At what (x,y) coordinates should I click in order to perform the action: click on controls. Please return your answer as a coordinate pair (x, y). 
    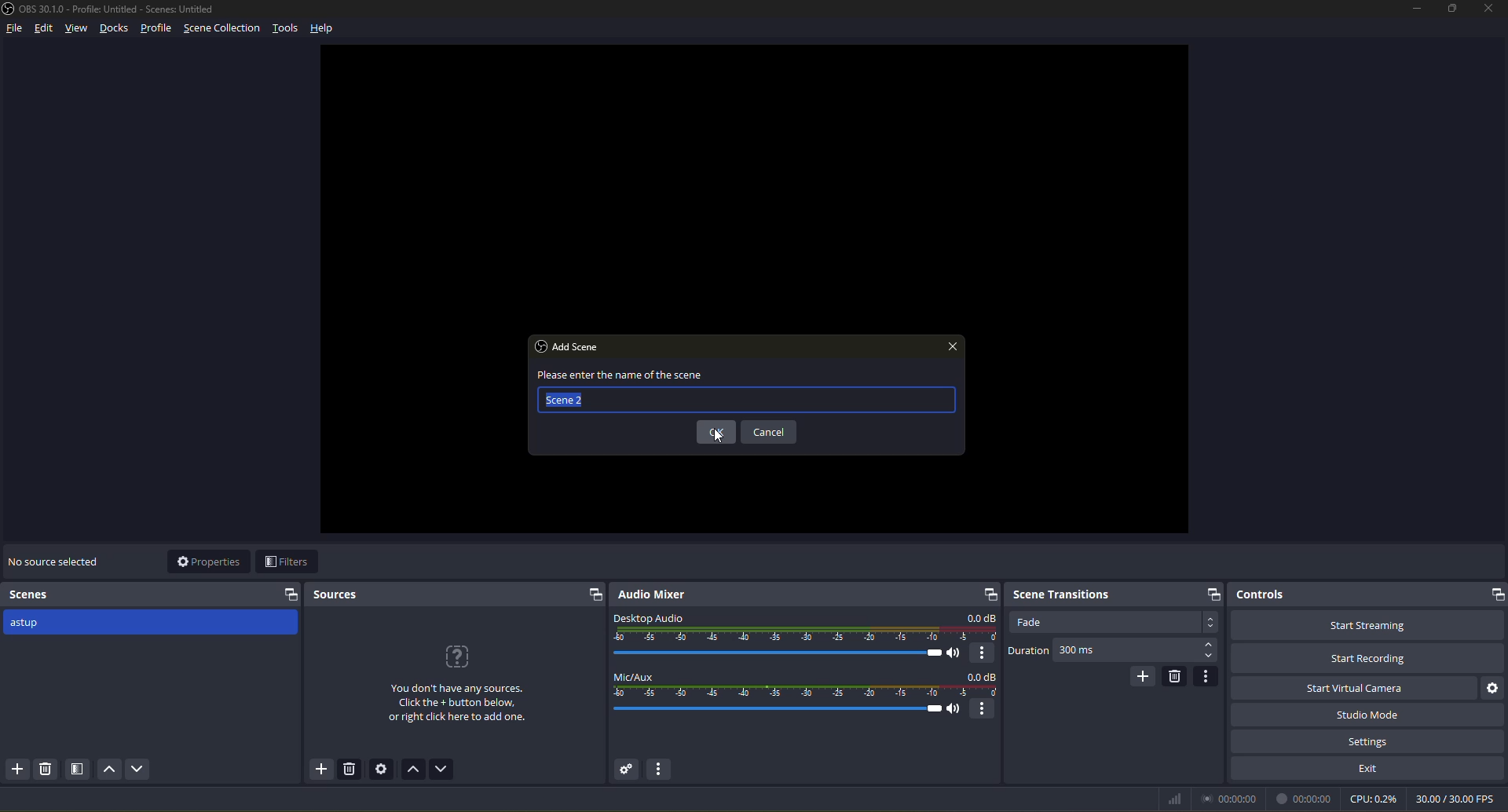
    Looking at the image, I should click on (1260, 594).